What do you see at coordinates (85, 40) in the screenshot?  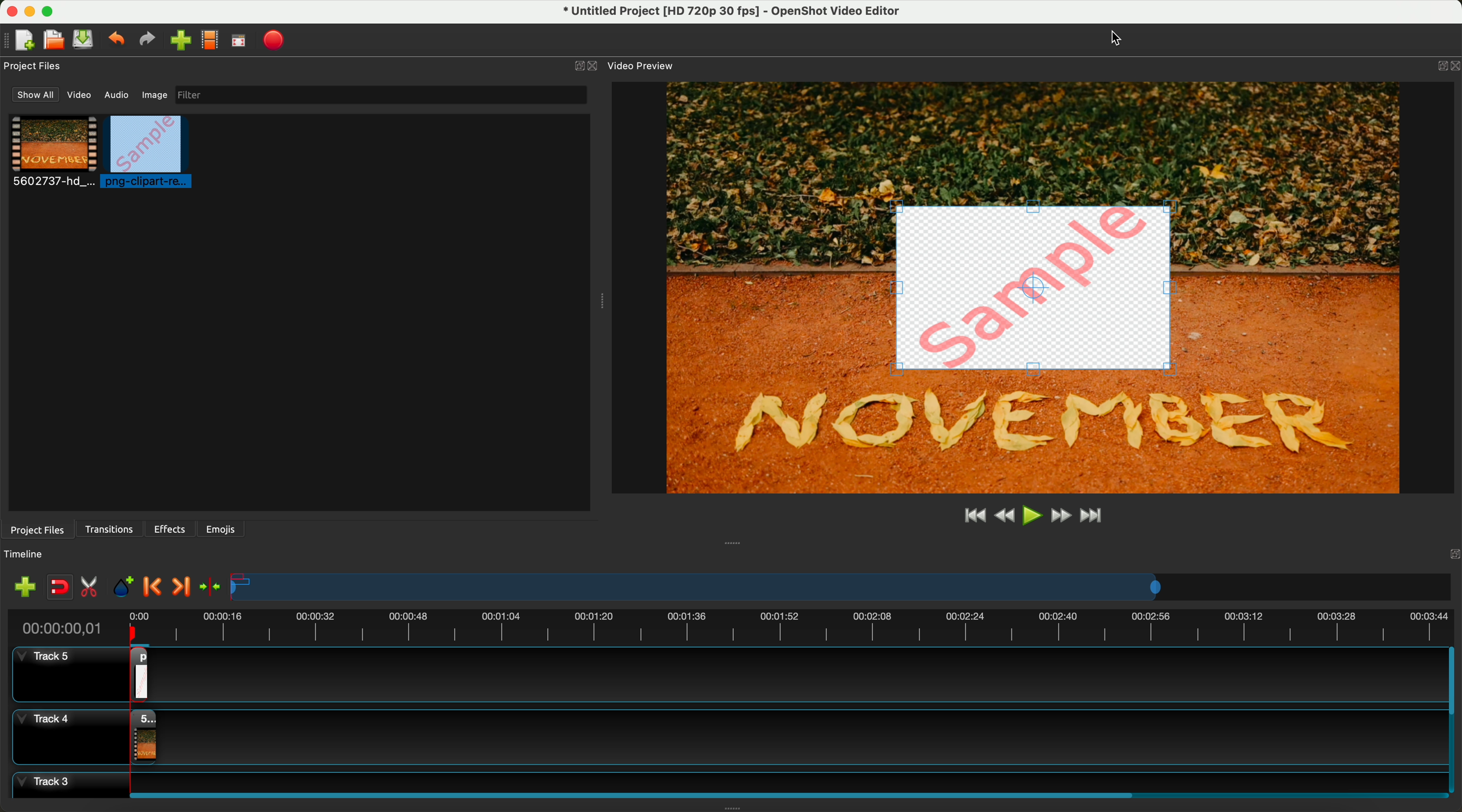 I see `save file` at bounding box center [85, 40].